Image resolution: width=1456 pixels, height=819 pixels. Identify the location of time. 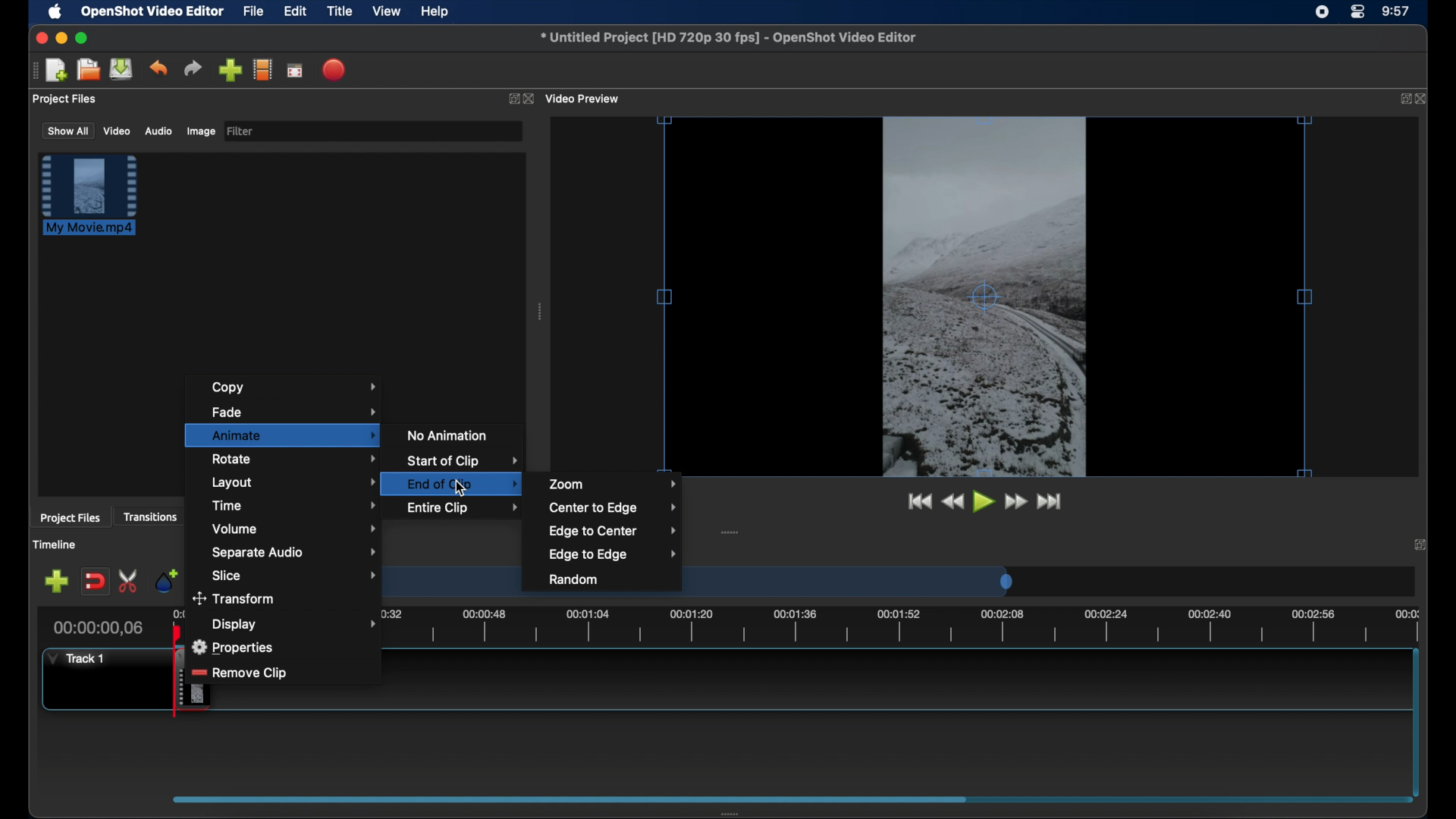
(1397, 12).